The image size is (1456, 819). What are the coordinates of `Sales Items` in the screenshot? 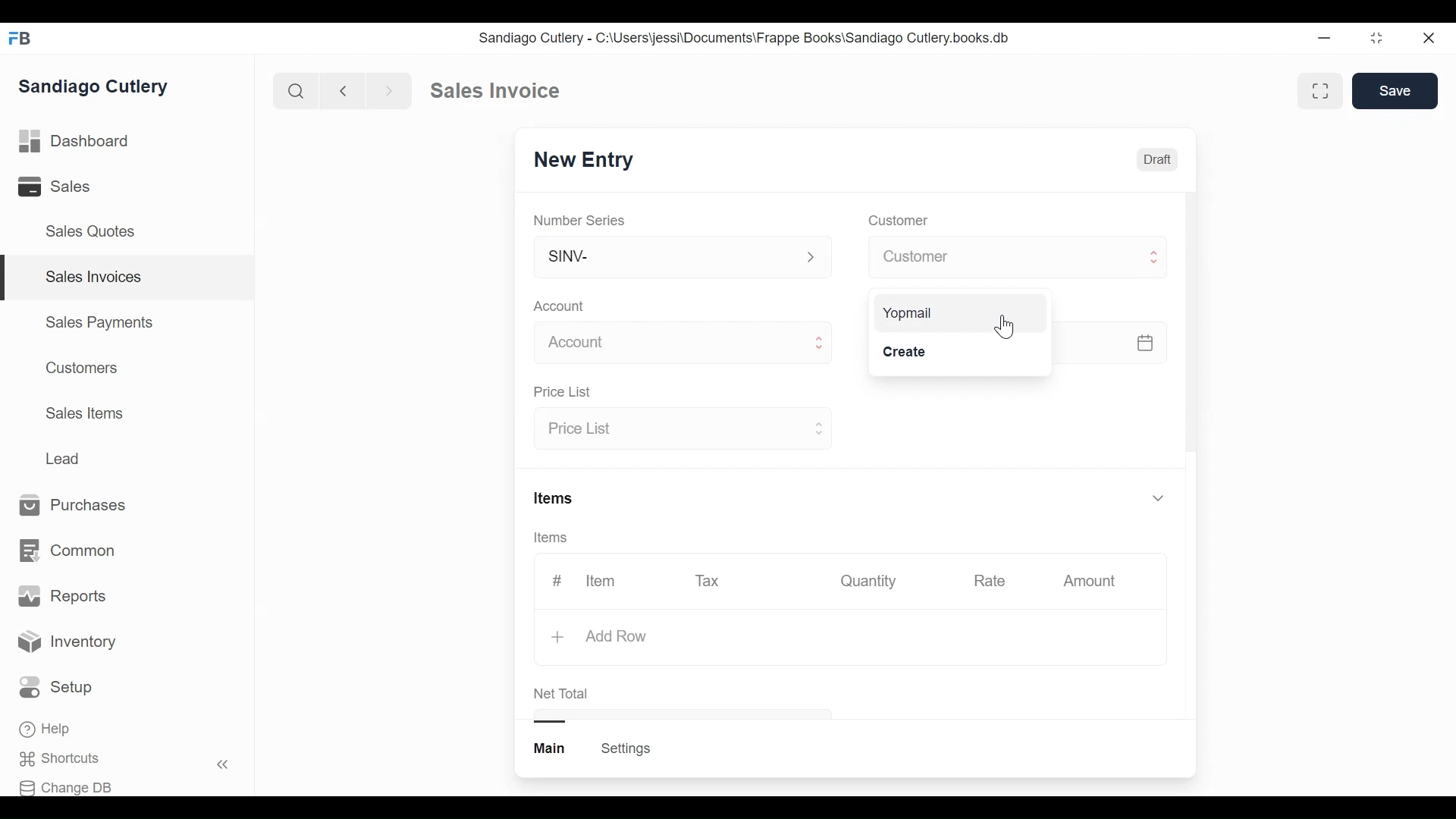 It's located at (84, 412).